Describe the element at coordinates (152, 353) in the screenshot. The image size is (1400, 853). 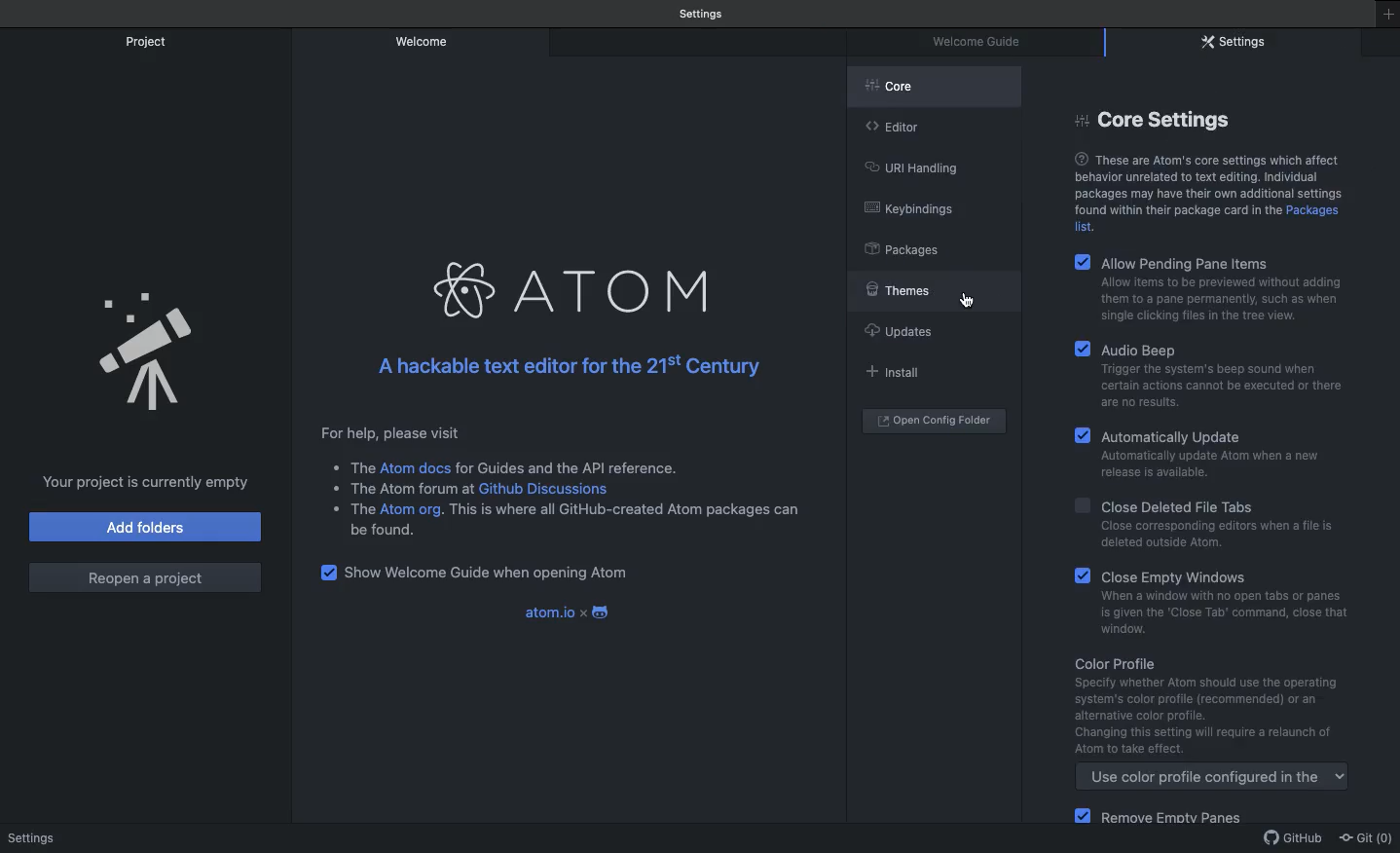
I see `Emblem` at that location.